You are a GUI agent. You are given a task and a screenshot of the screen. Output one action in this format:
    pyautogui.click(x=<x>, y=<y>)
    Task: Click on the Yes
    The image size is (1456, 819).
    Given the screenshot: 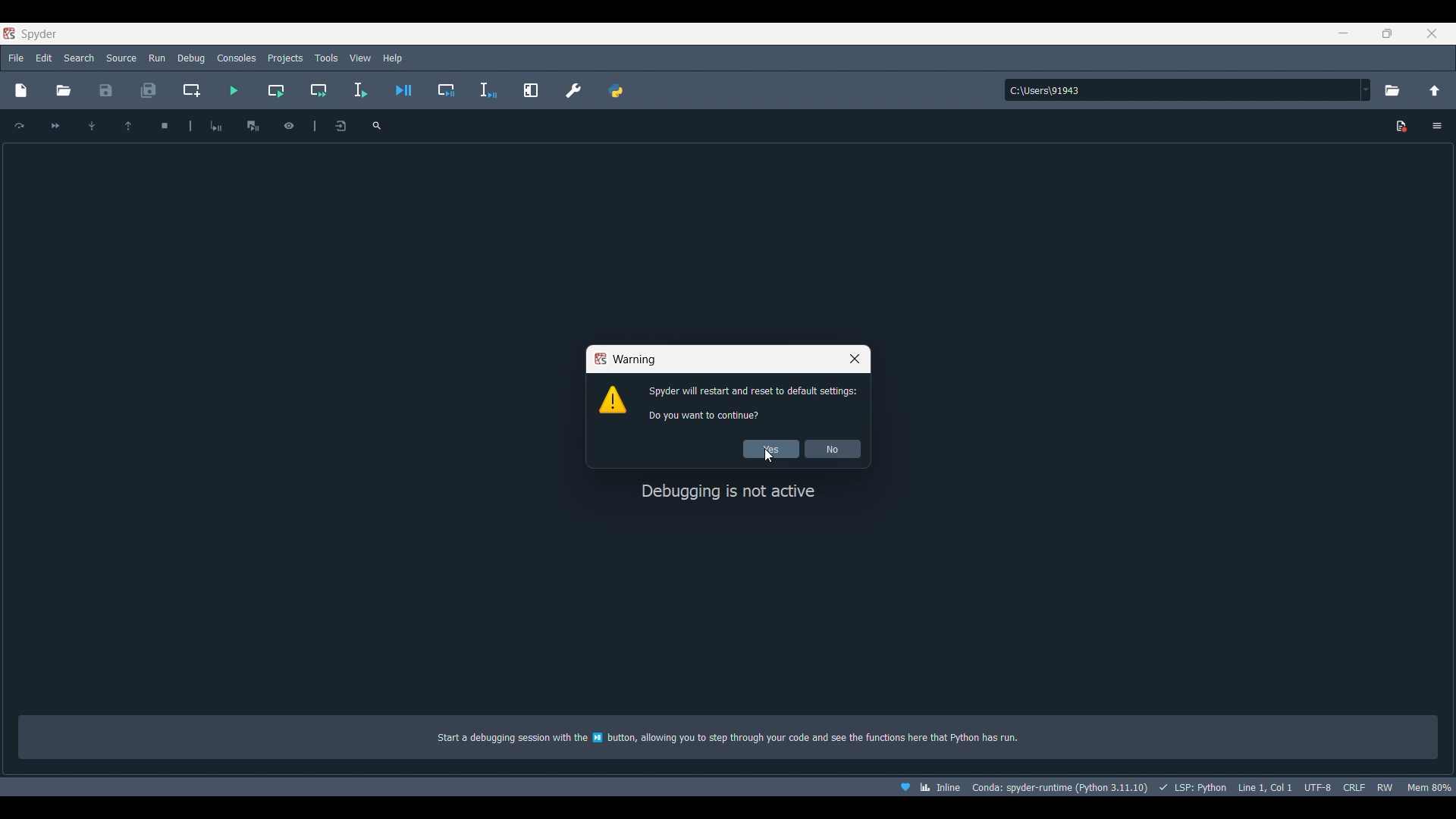 What is the action you would take?
    pyautogui.click(x=770, y=449)
    